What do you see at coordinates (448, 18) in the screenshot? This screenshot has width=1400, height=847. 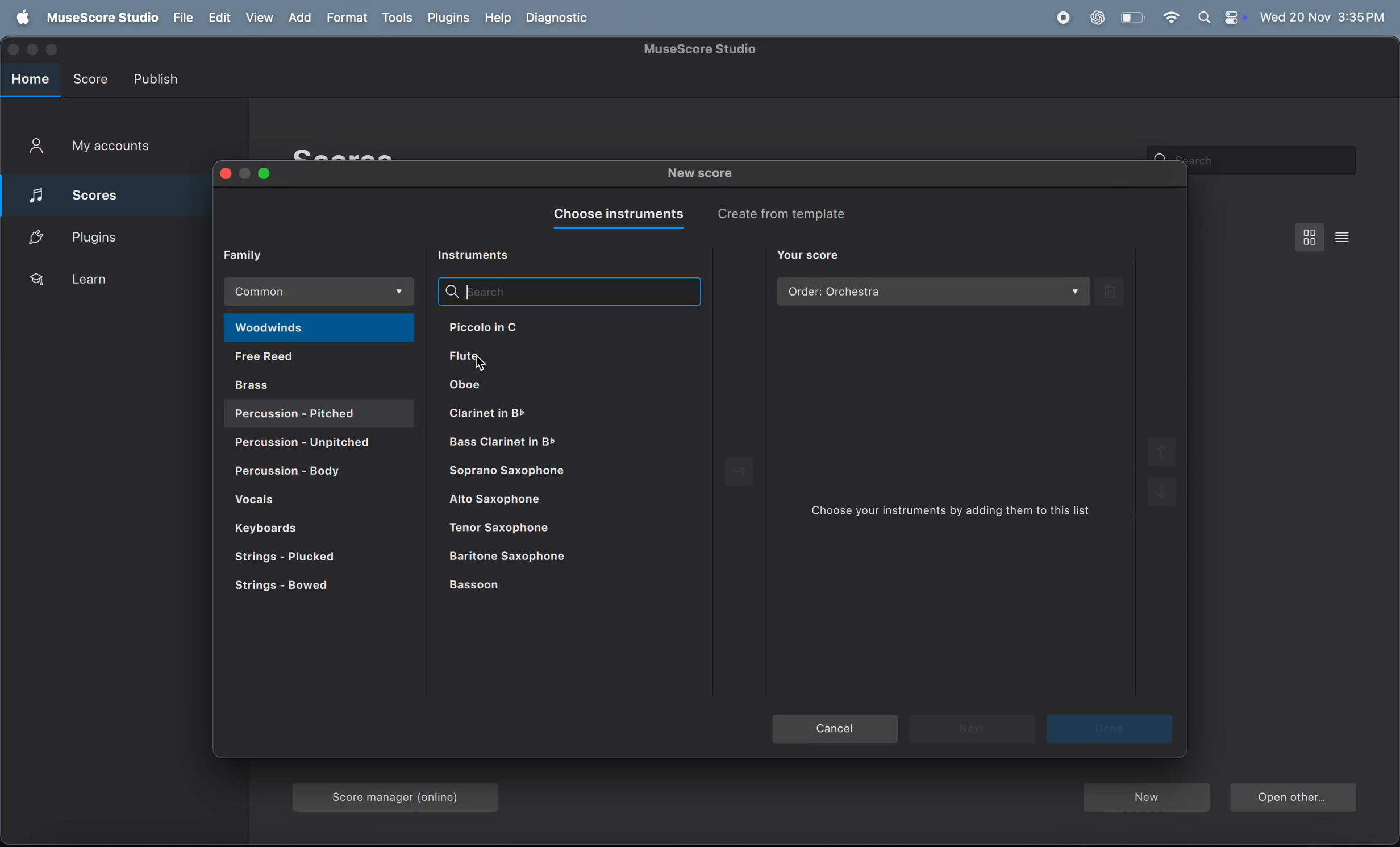 I see `plugins` at bounding box center [448, 18].